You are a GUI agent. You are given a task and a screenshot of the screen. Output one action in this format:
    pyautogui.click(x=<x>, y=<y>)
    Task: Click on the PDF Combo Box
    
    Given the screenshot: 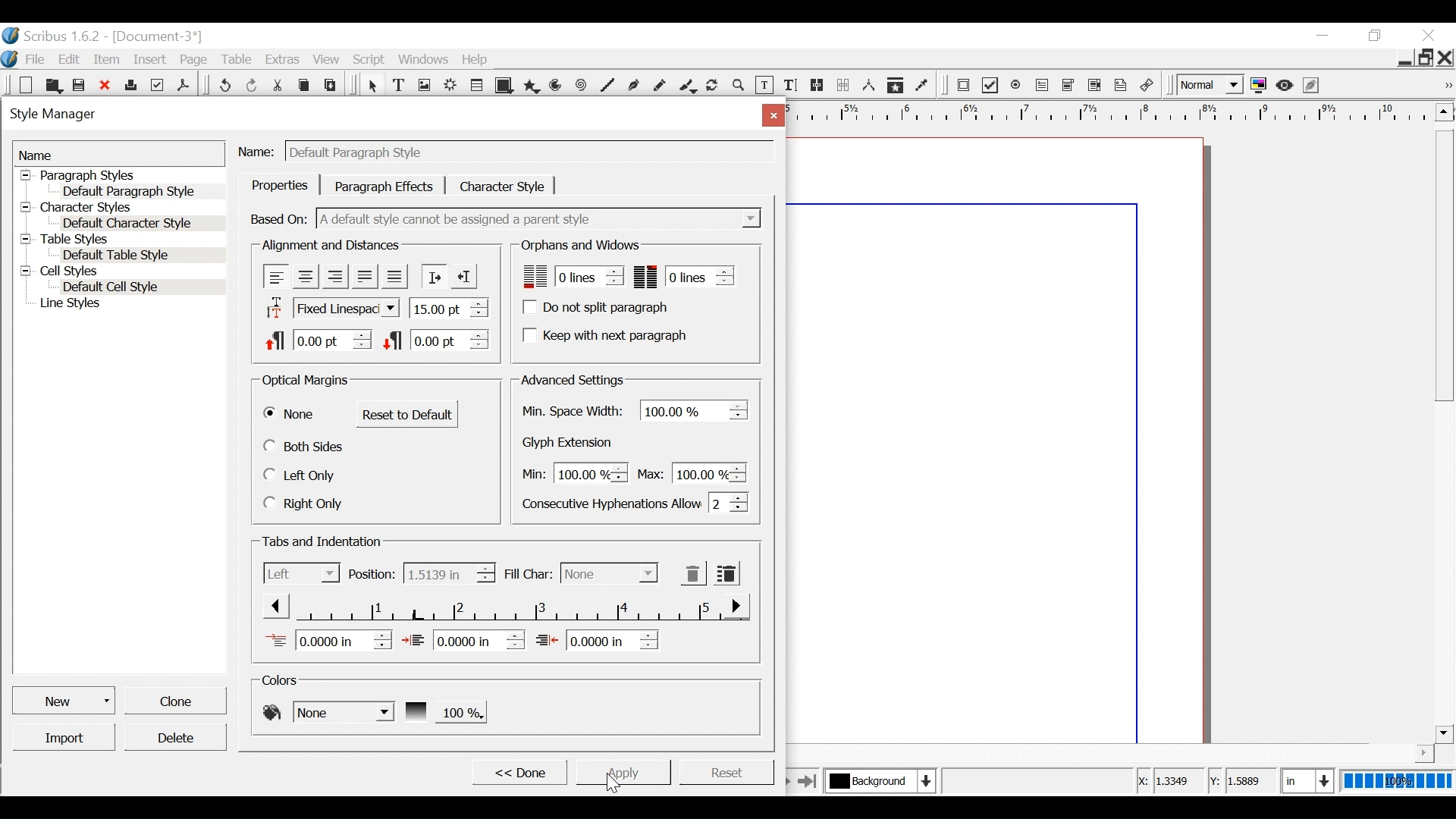 What is the action you would take?
    pyautogui.click(x=1070, y=86)
    